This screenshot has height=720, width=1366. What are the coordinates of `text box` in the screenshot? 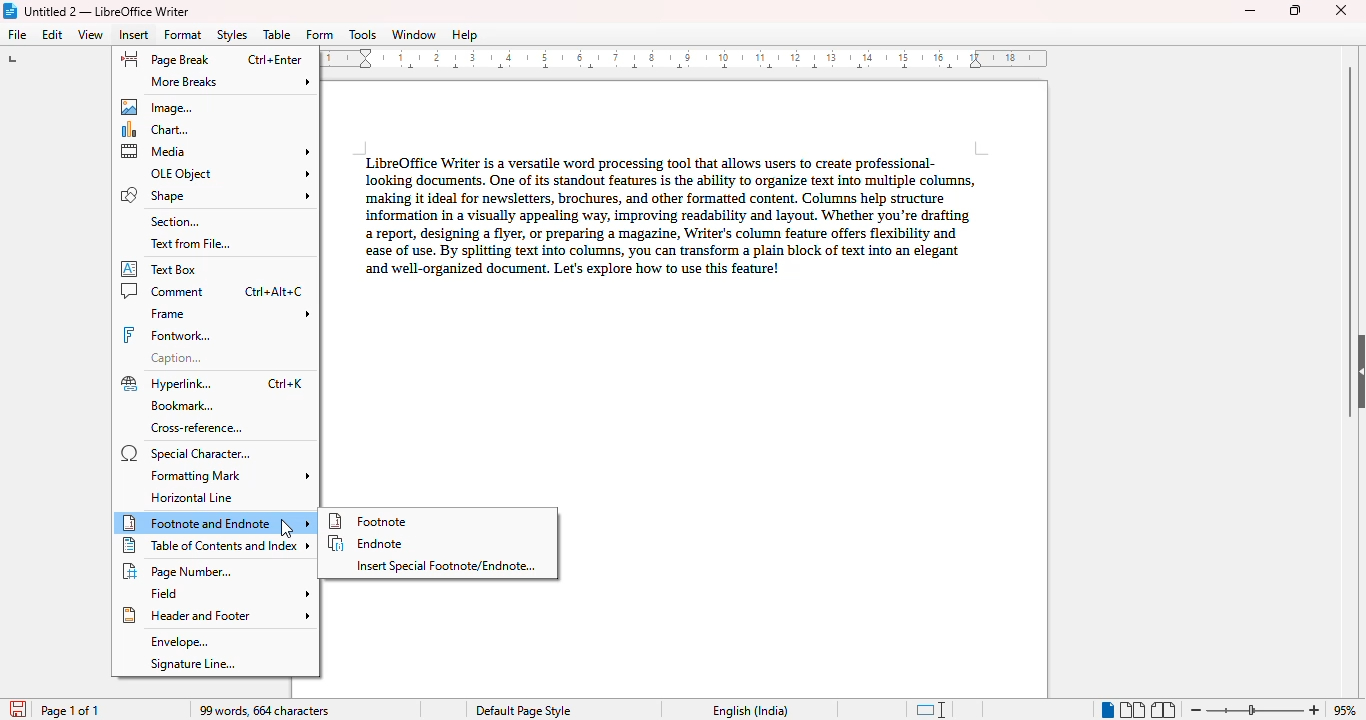 It's located at (161, 269).